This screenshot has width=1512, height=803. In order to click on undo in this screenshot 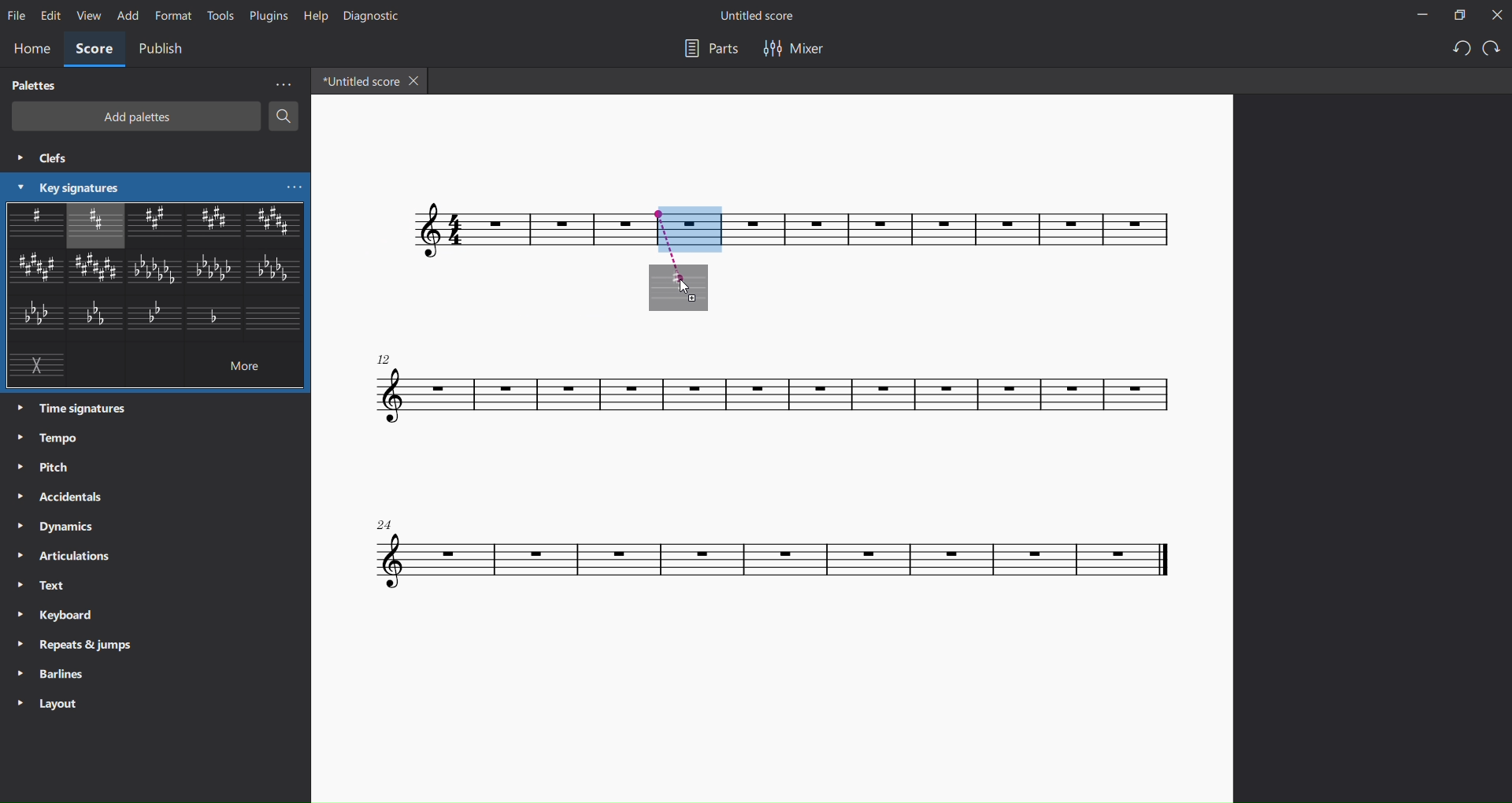, I will do `click(1458, 50)`.